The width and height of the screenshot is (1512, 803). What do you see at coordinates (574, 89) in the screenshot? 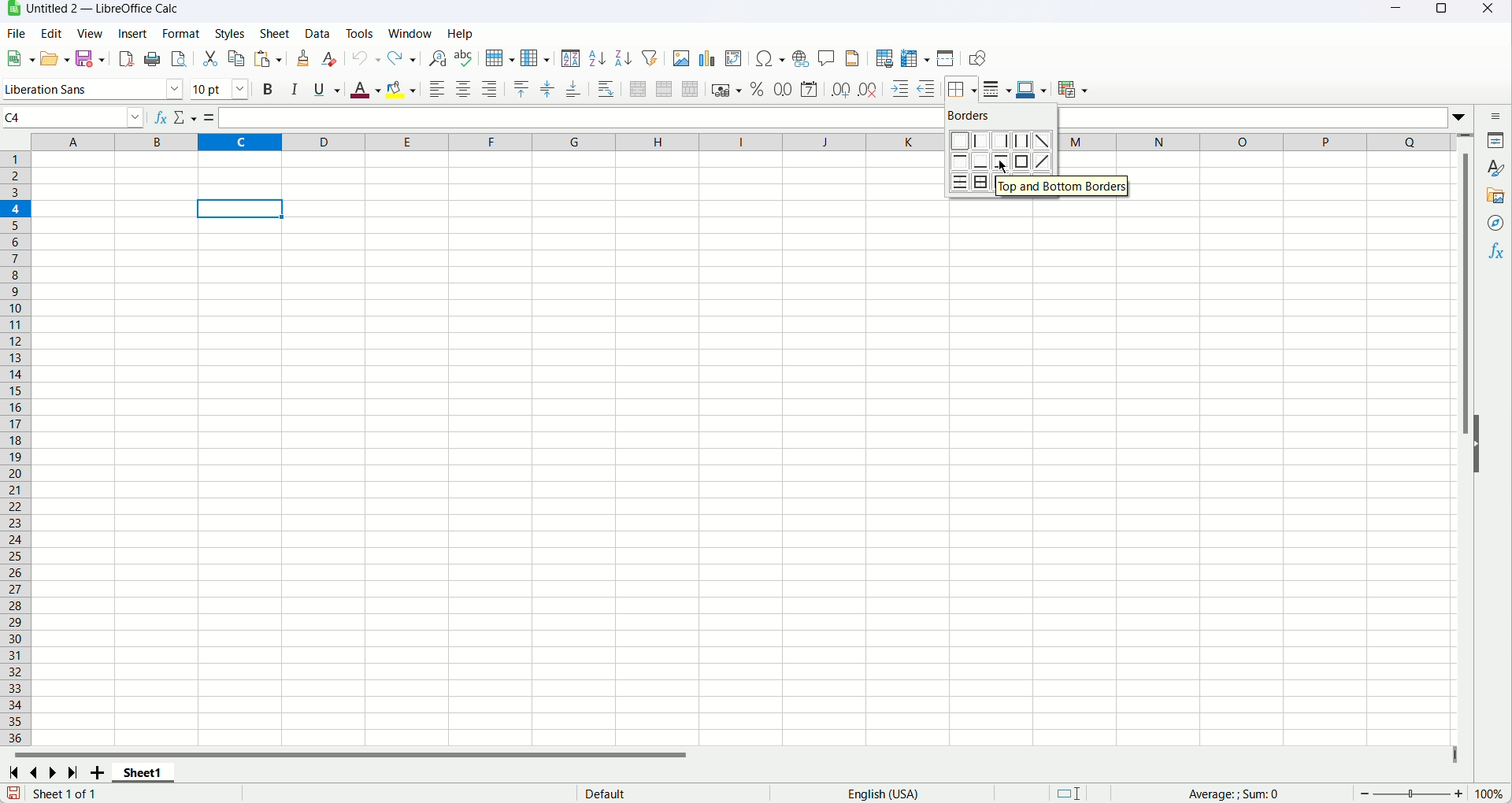
I see `Align bottom` at bounding box center [574, 89].